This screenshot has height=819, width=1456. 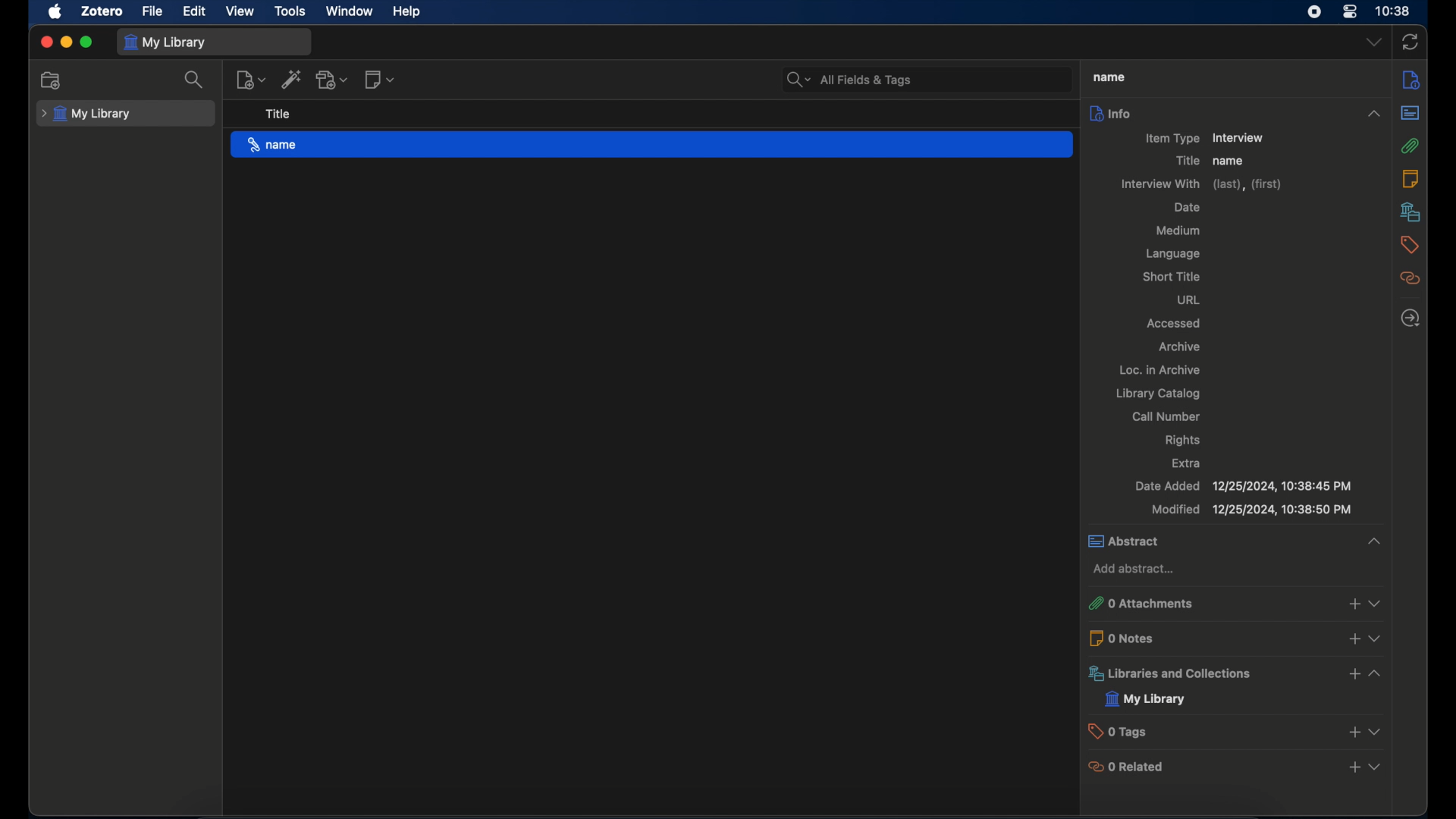 What do you see at coordinates (86, 115) in the screenshot?
I see `my library` at bounding box center [86, 115].